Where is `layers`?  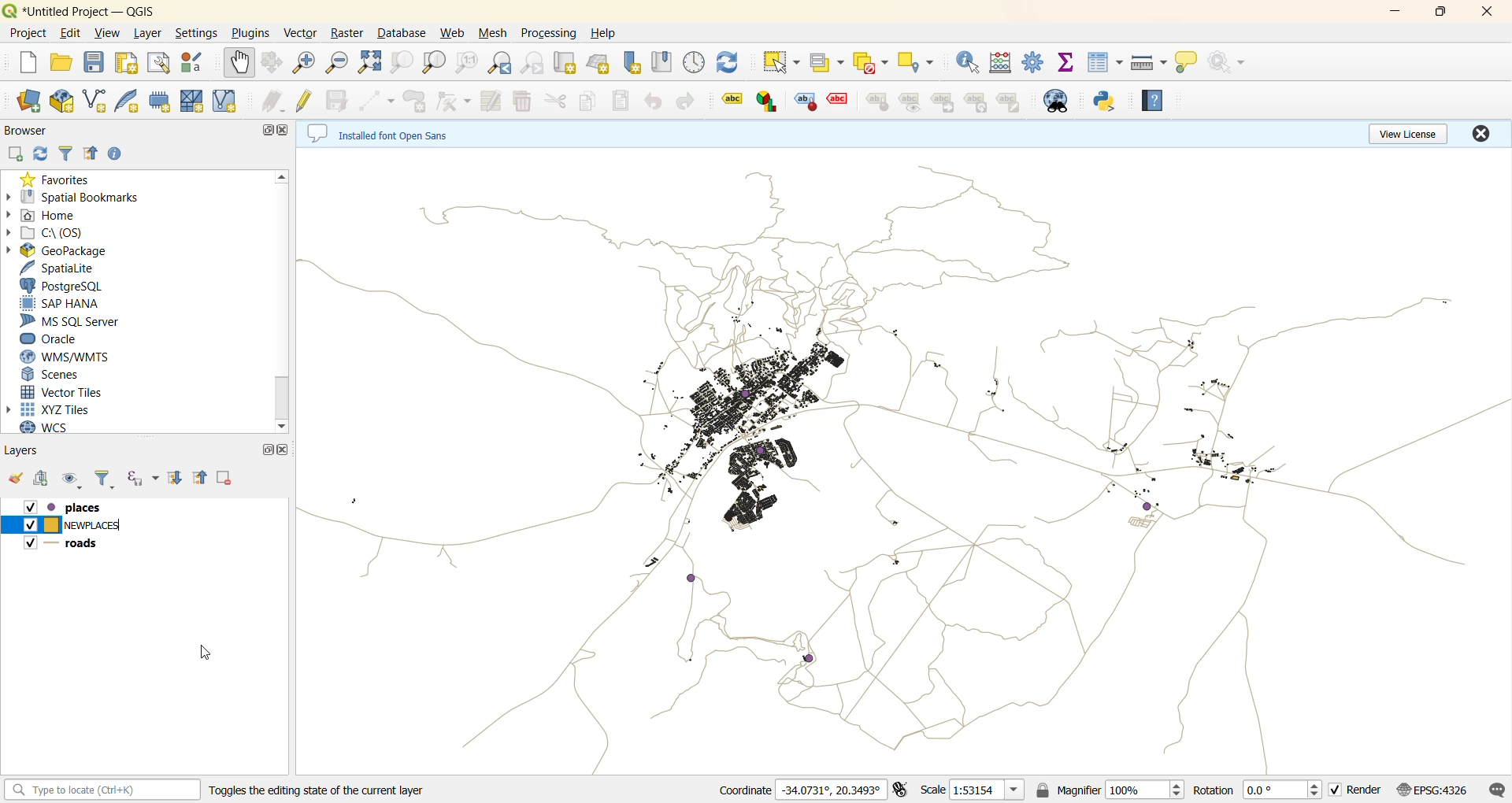
layers is located at coordinates (903, 459).